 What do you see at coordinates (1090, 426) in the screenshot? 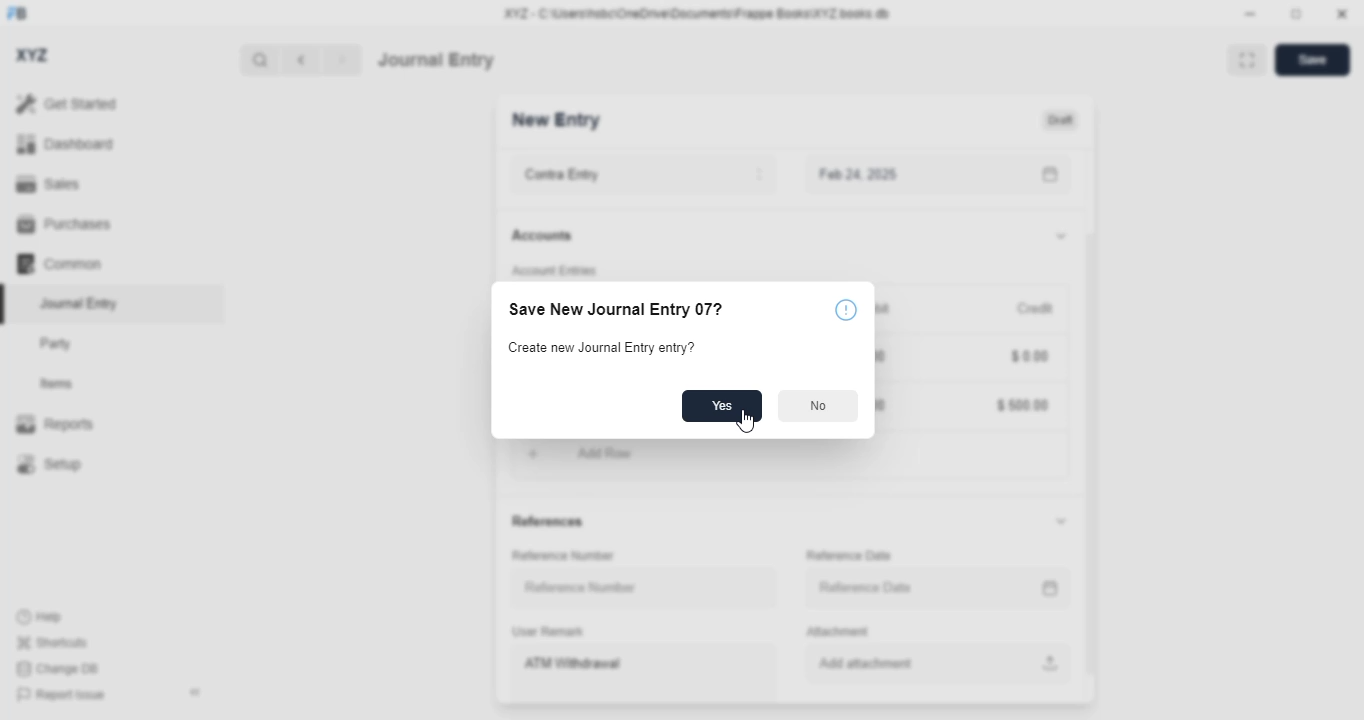
I see `vertical scroll bar` at bounding box center [1090, 426].